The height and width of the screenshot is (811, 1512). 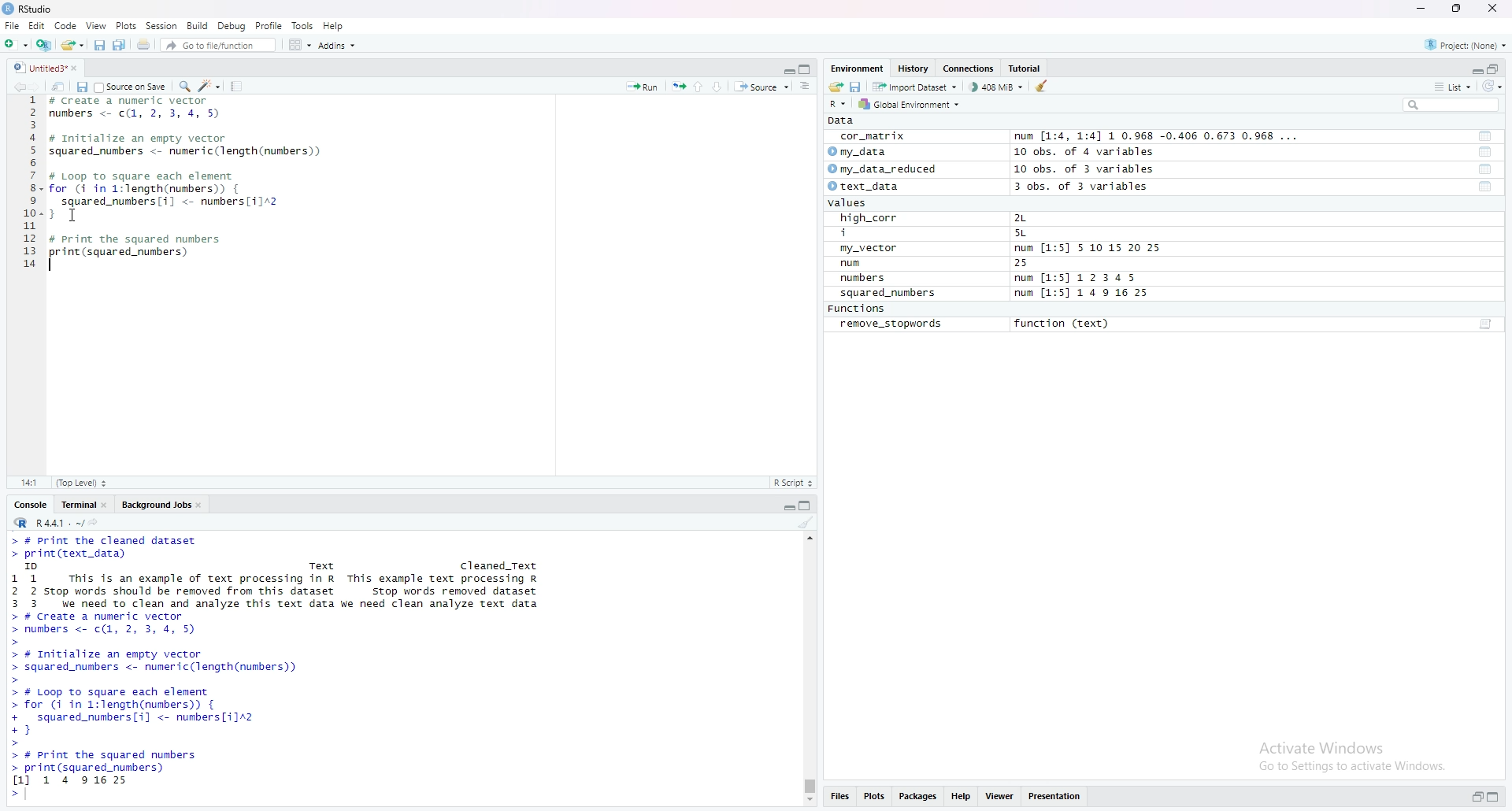 What do you see at coordinates (72, 43) in the screenshot?
I see `Open an existing file` at bounding box center [72, 43].